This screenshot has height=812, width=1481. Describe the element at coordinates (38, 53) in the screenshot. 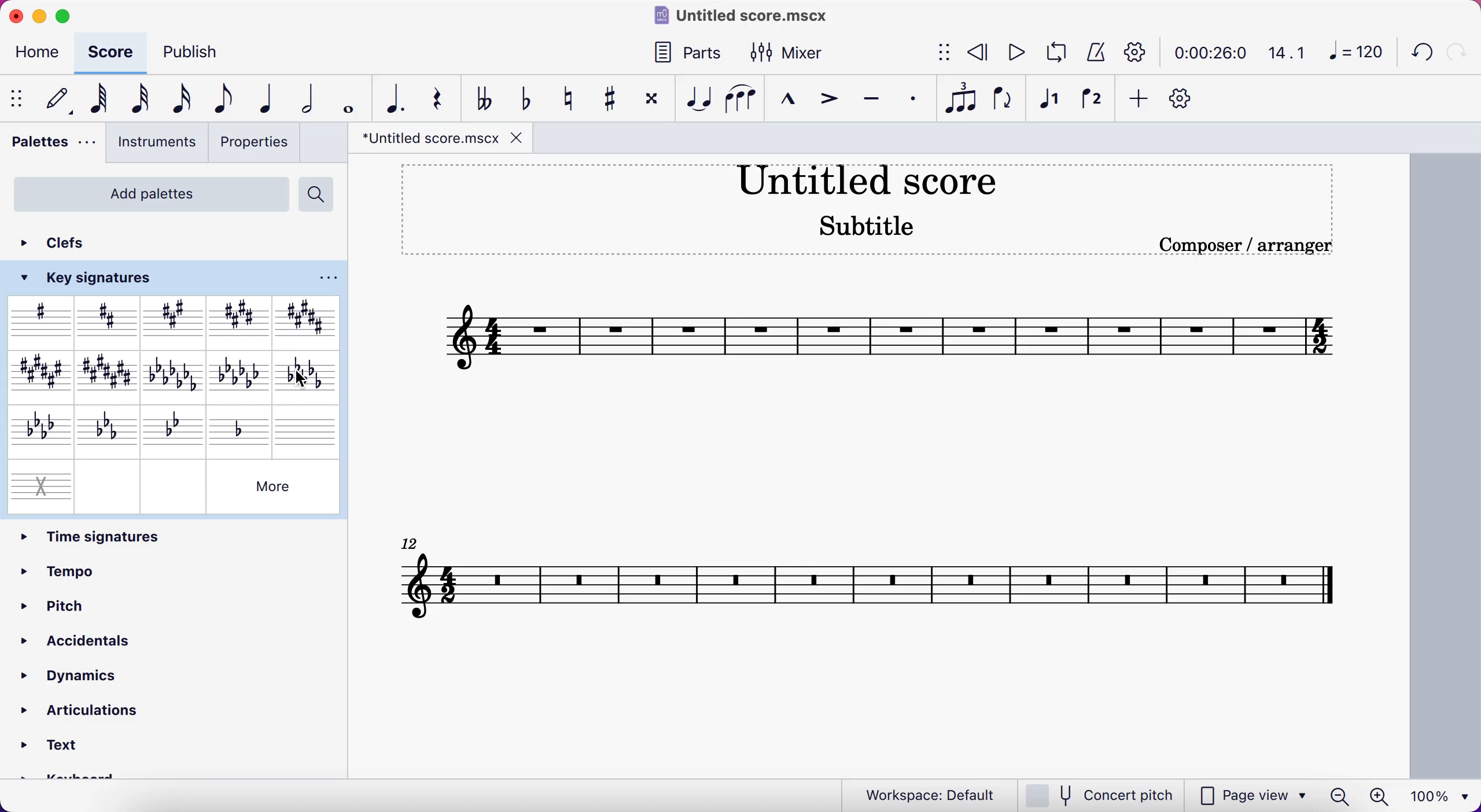

I see `home` at that location.